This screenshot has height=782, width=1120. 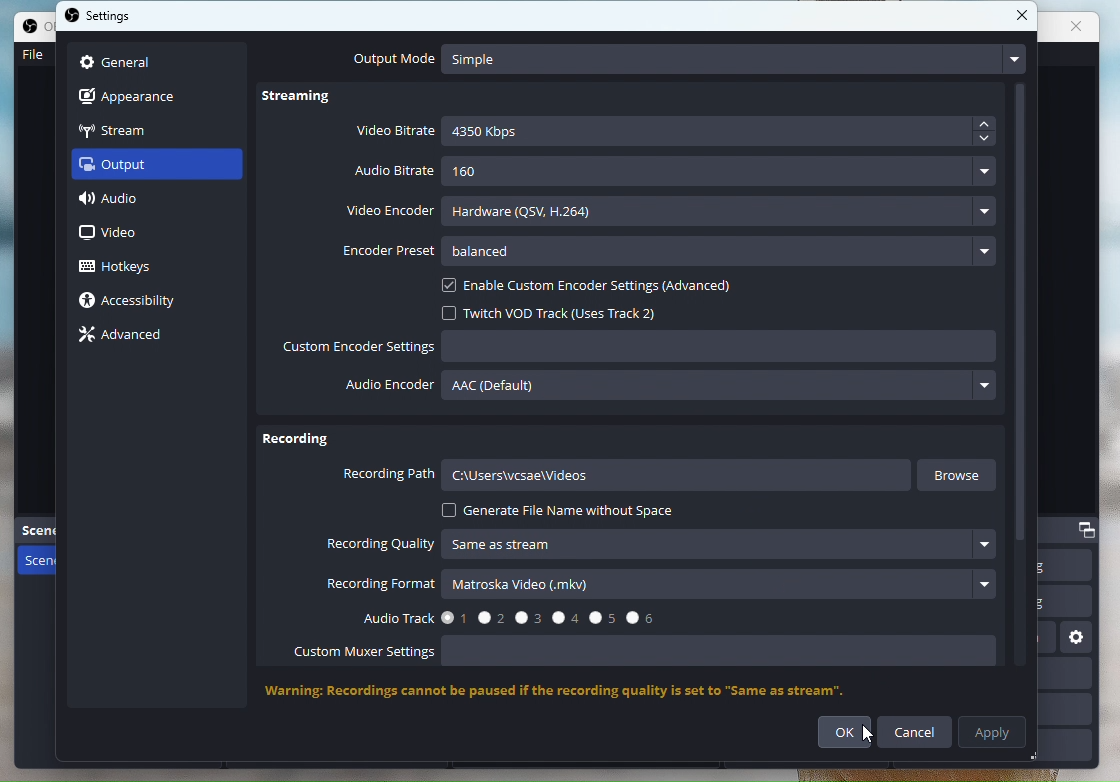 What do you see at coordinates (666, 545) in the screenshot?
I see `Recording quality` at bounding box center [666, 545].